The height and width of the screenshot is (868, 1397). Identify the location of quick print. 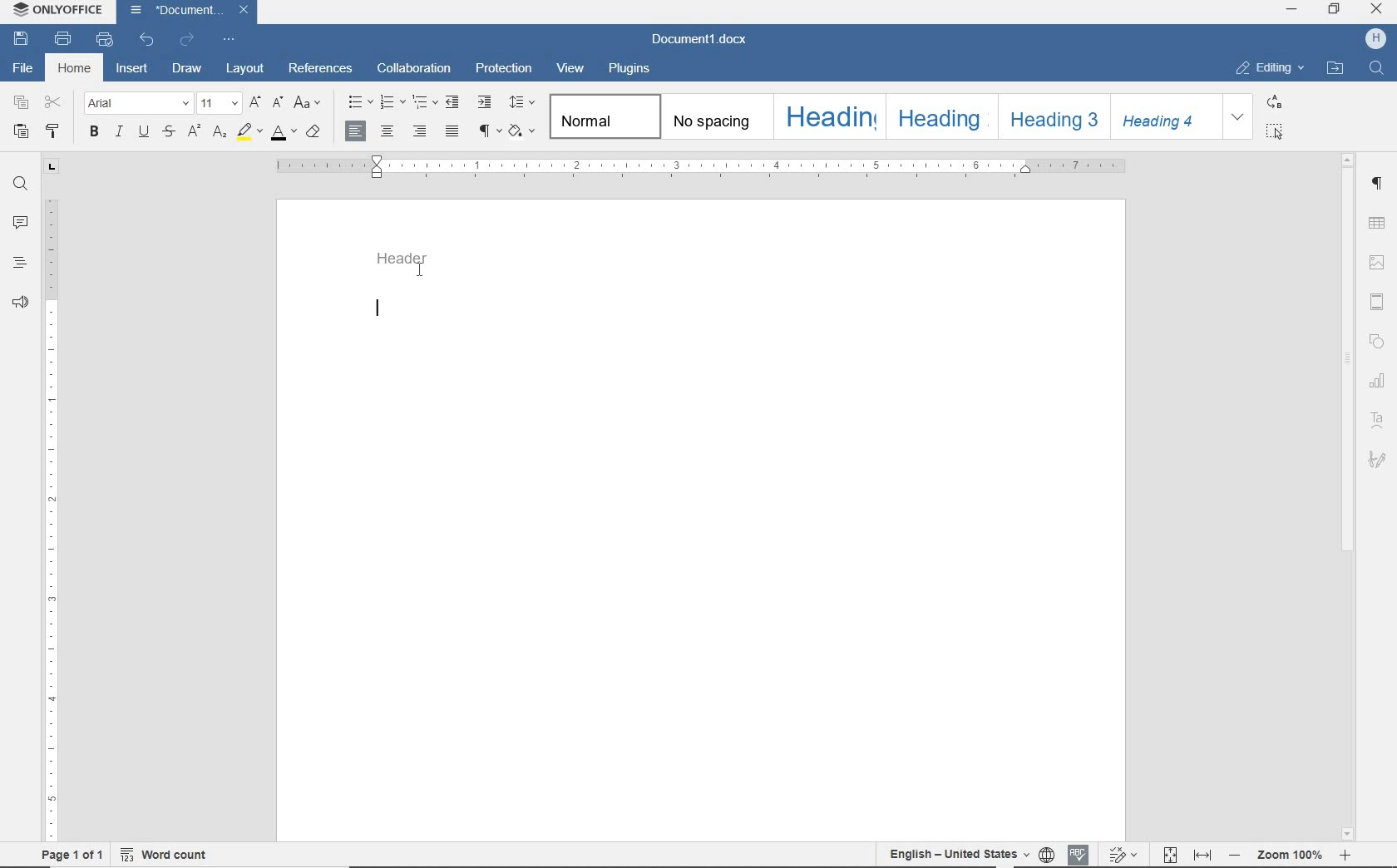
(103, 40).